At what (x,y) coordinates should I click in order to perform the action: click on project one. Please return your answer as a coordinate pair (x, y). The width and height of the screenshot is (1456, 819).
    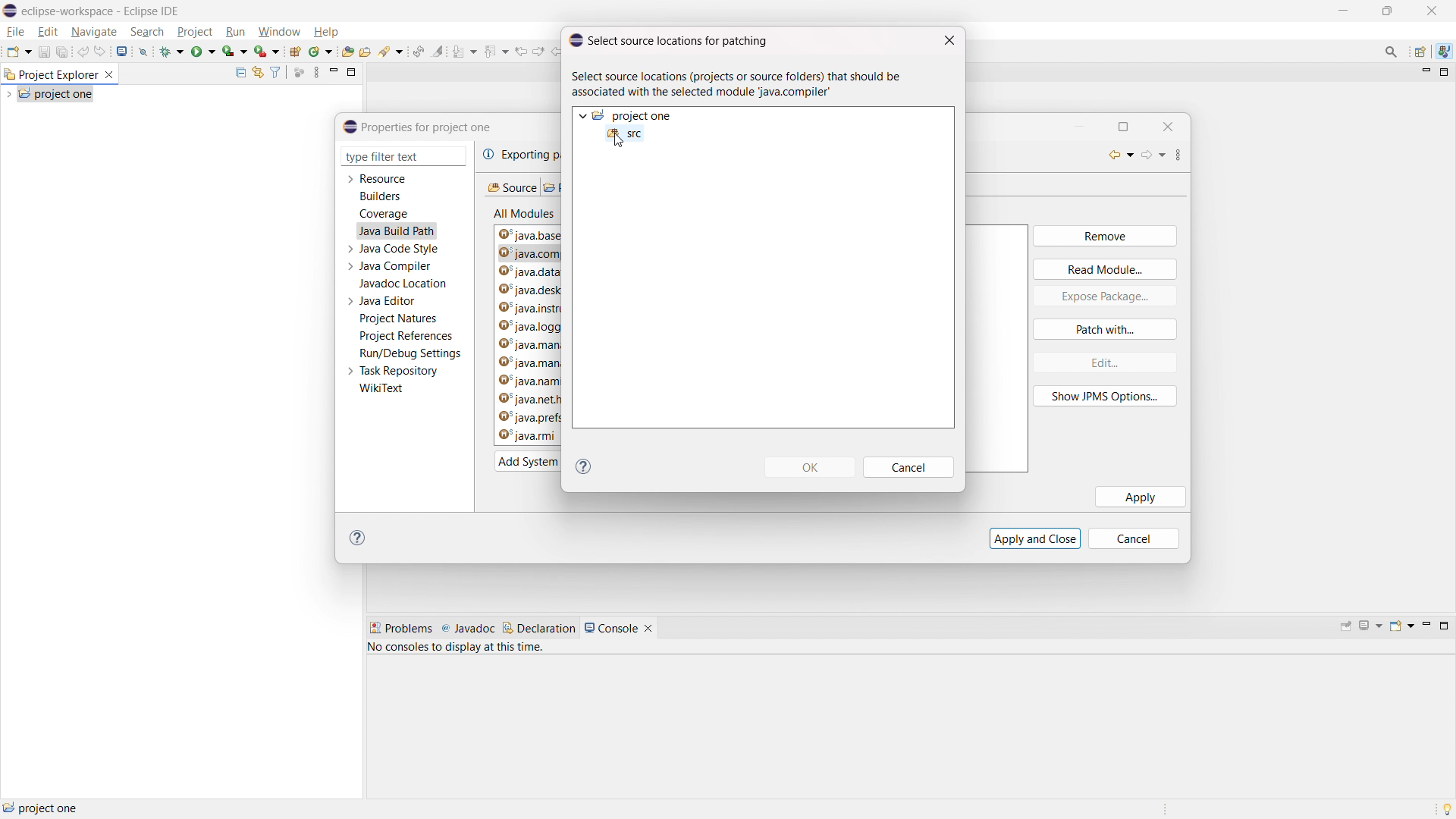
    Looking at the image, I should click on (634, 116).